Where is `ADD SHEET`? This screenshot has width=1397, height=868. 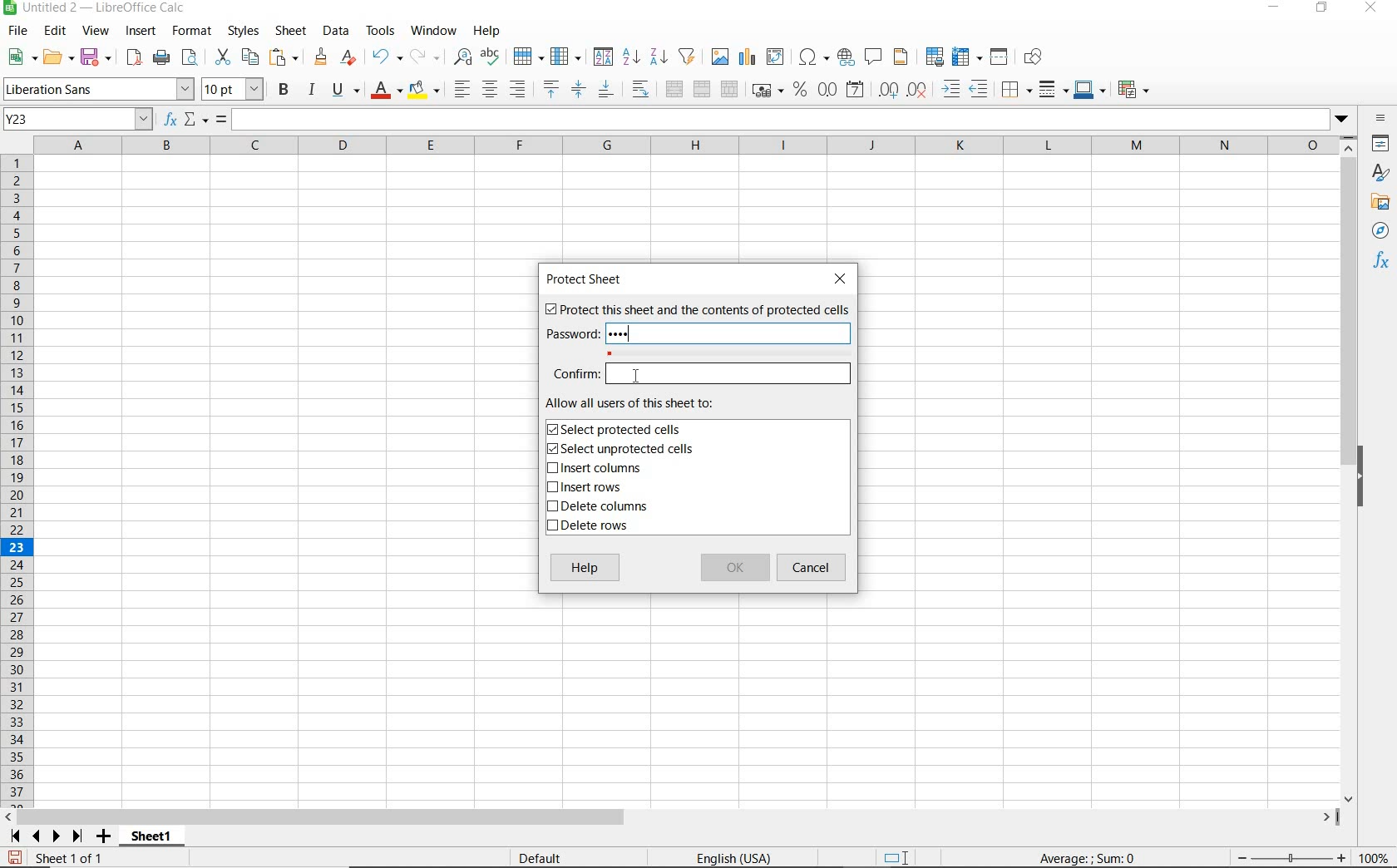
ADD SHEET is located at coordinates (106, 837).